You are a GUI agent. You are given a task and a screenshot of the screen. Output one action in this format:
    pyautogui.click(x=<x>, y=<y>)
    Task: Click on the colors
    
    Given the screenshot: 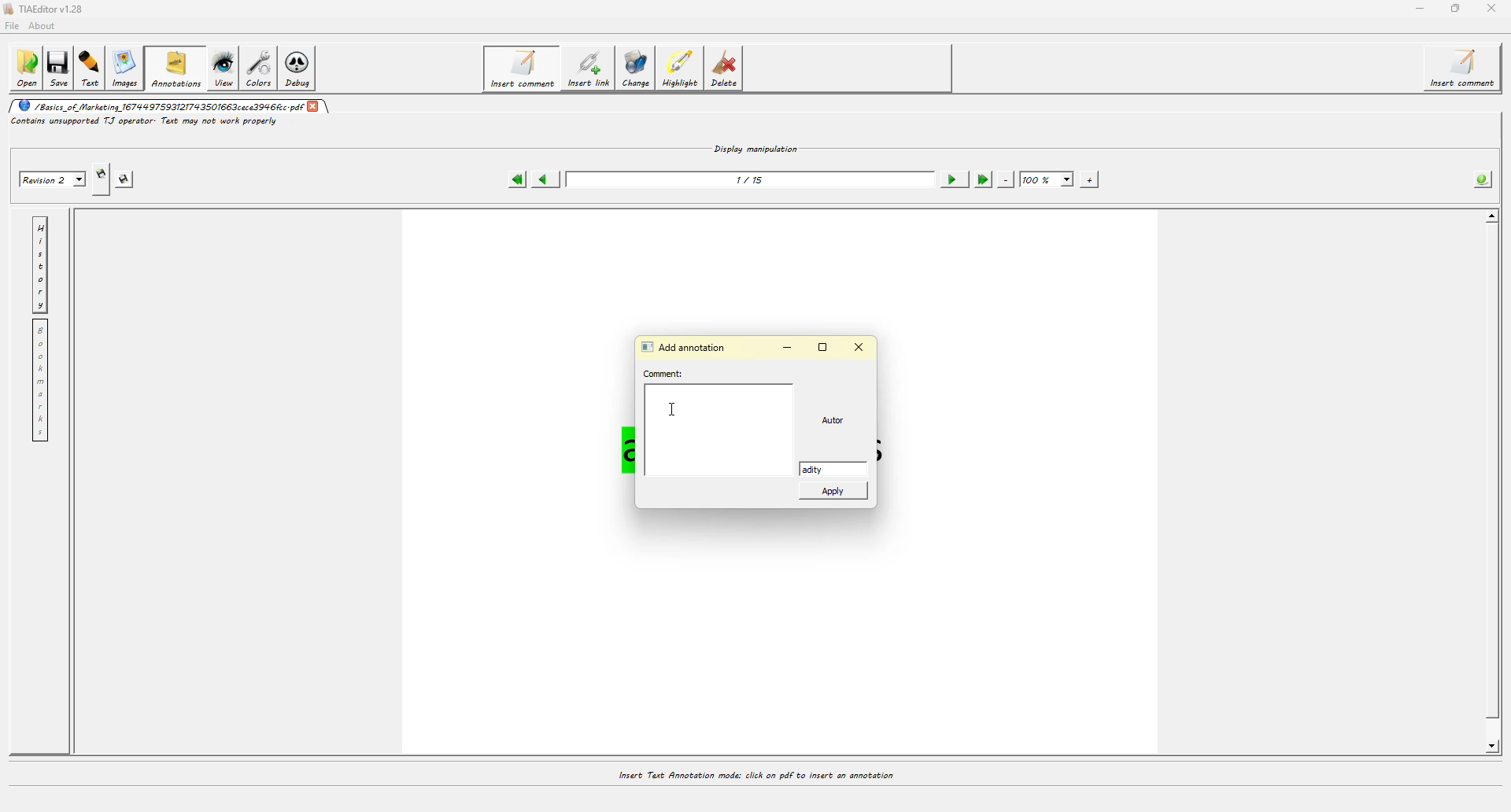 What is the action you would take?
    pyautogui.click(x=262, y=68)
    